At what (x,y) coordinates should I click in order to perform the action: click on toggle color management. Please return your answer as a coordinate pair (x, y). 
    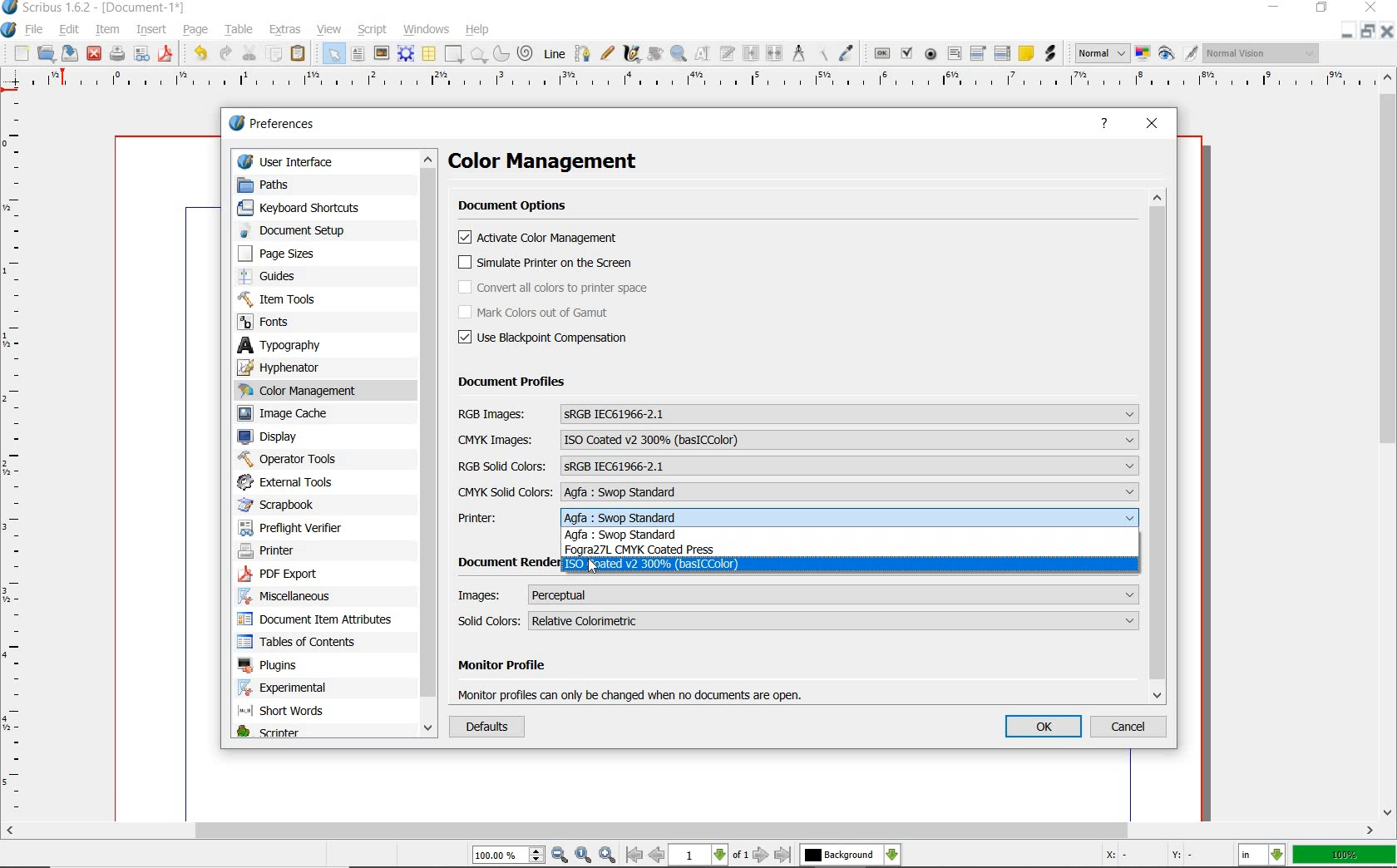
    Looking at the image, I should click on (1143, 52).